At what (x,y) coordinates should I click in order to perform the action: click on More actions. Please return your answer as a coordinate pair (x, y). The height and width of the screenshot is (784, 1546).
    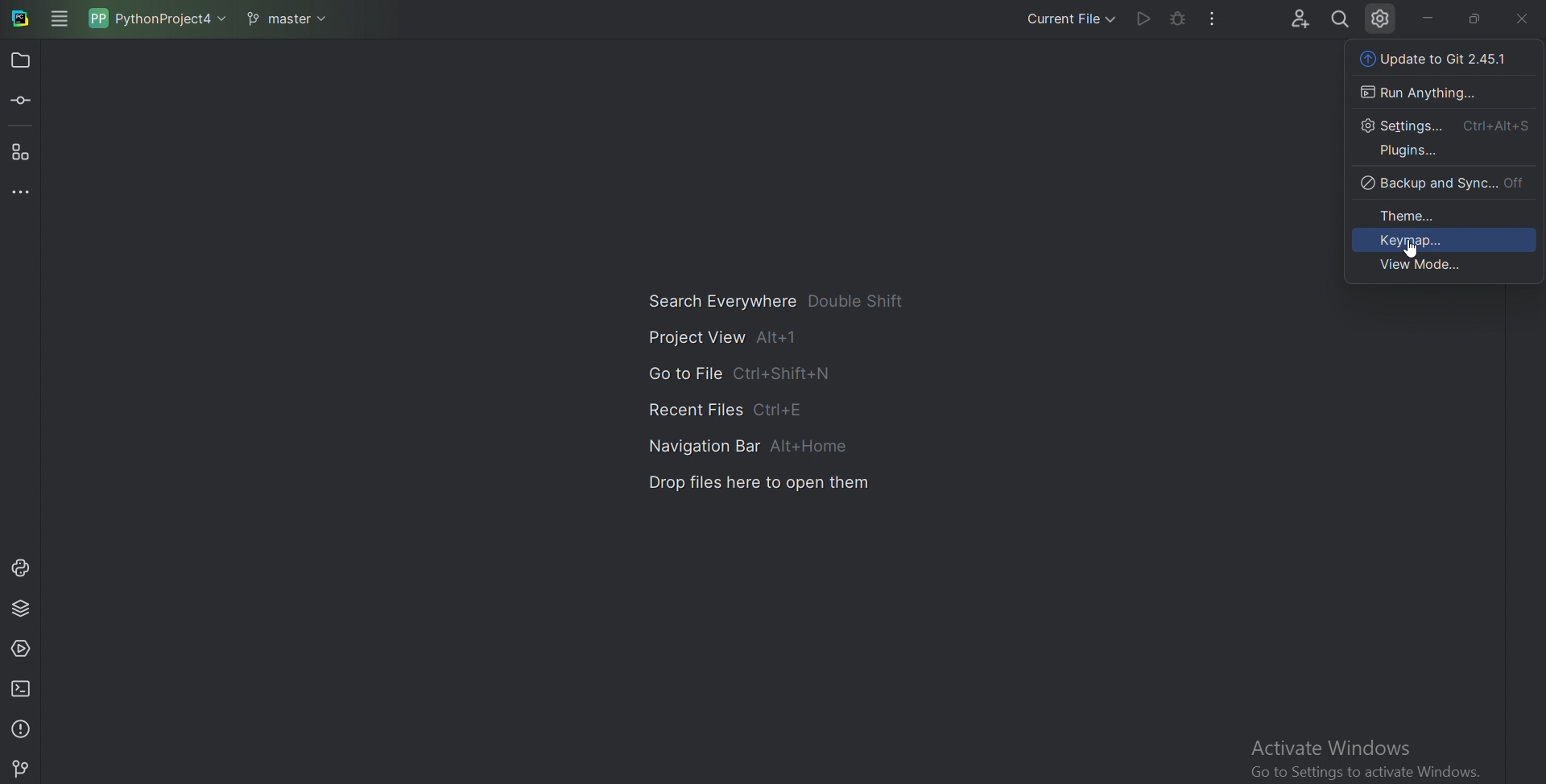
    Looking at the image, I should click on (1214, 18).